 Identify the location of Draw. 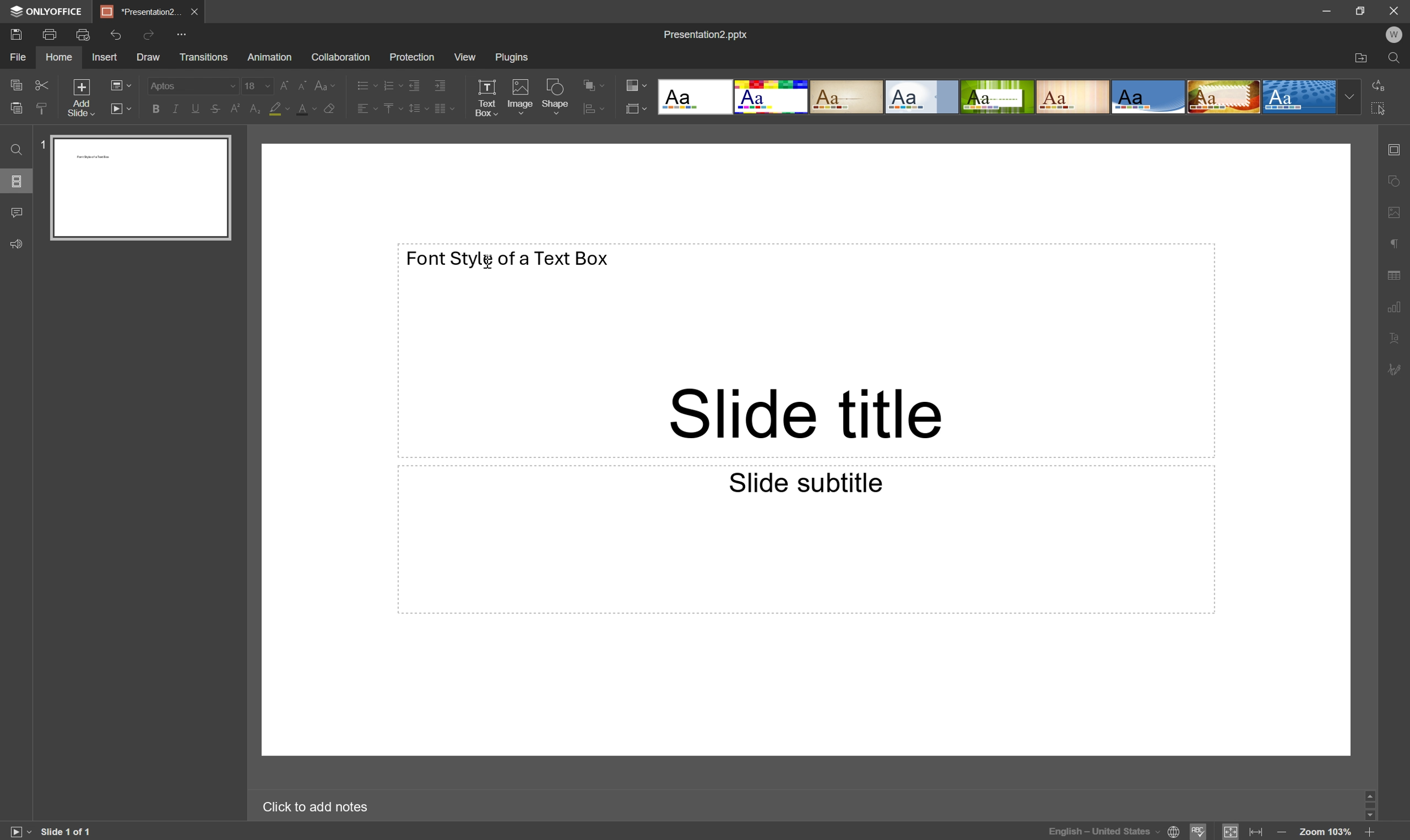
(150, 55).